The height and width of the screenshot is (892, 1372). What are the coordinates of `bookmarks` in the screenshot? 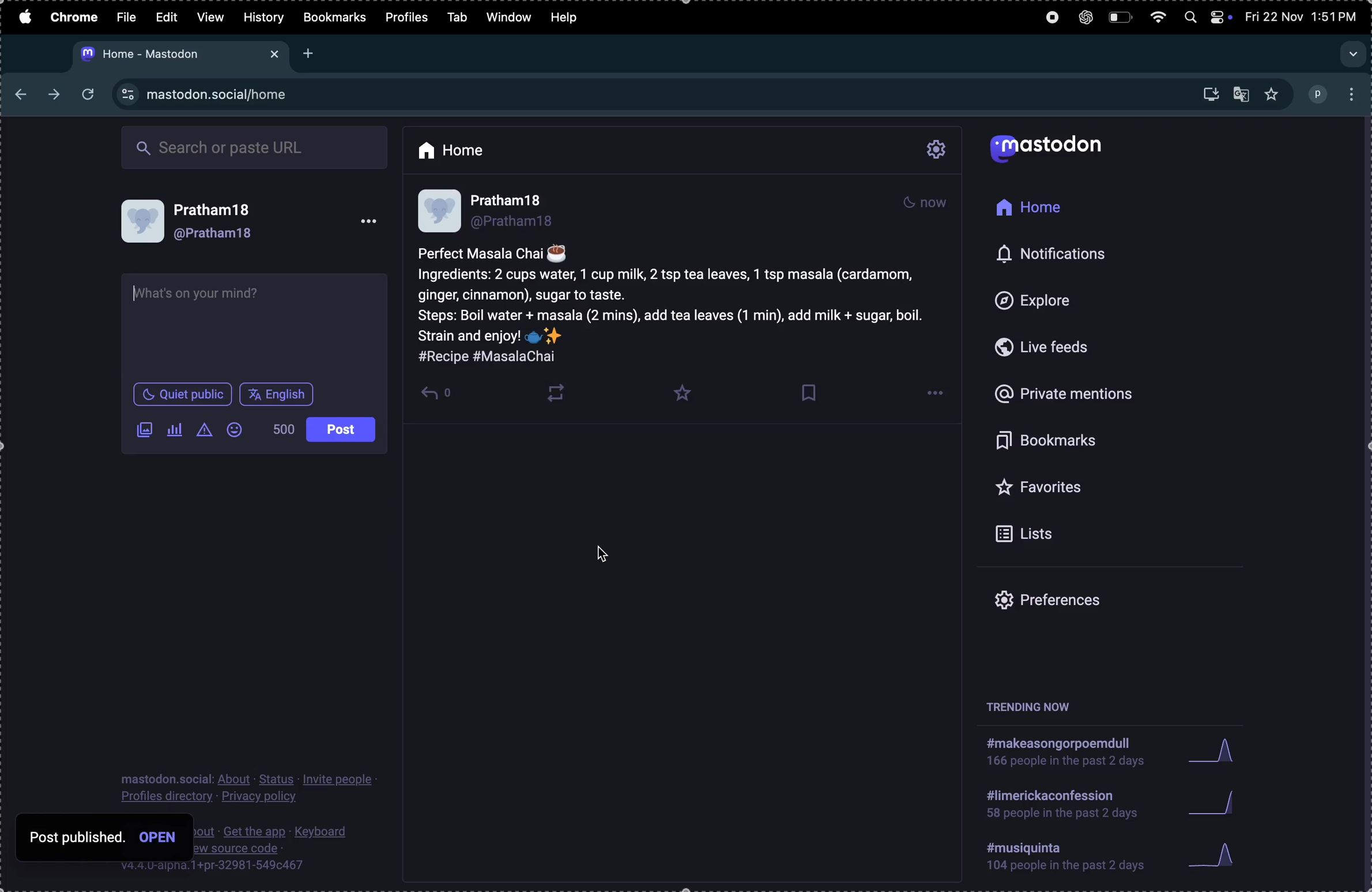 It's located at (1080, 439).